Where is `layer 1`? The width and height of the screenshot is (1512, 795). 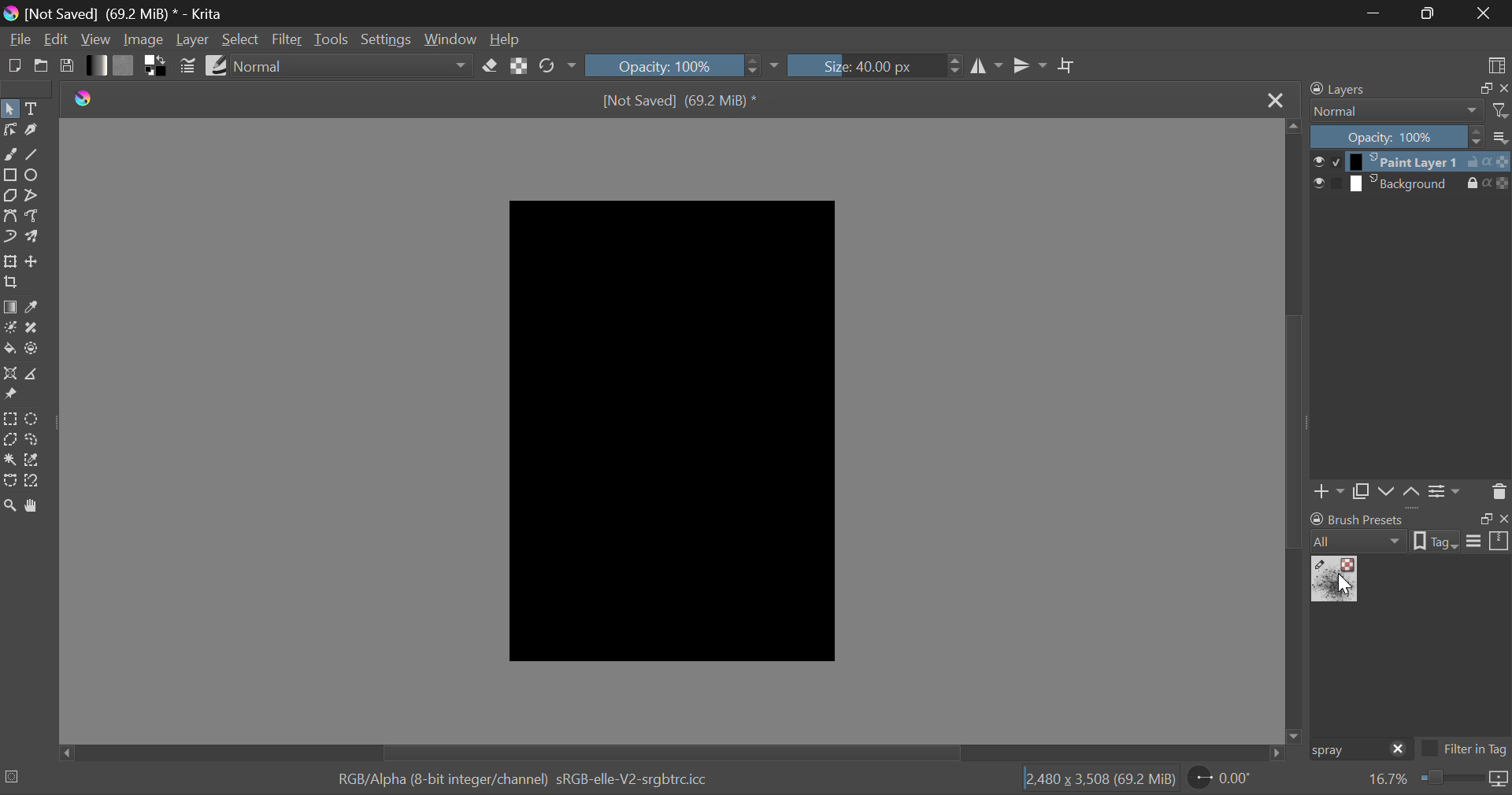 layer 1 is located at coordinates (1406, 163).